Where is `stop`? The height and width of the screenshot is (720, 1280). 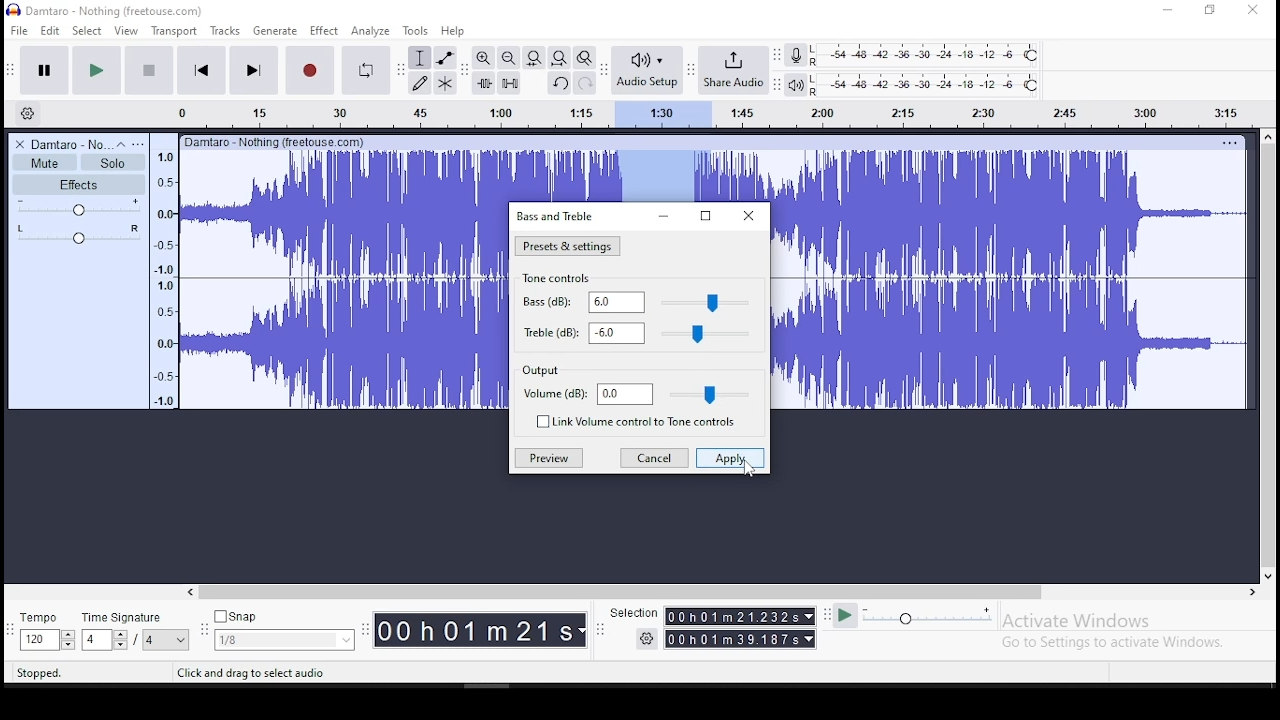 stop is located at coordinates (148, 69).